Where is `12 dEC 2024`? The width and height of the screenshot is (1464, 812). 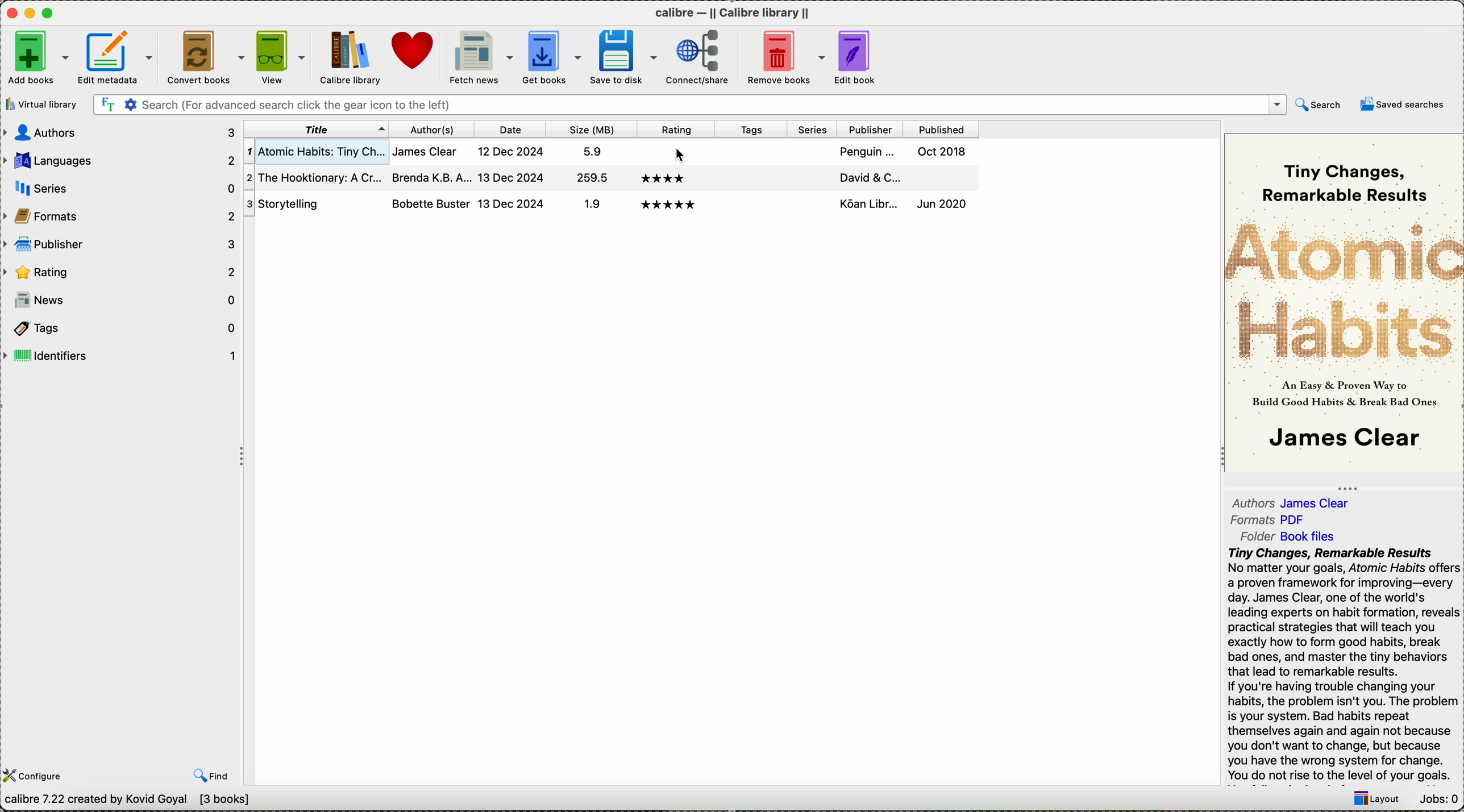 12 dEC 2024 is located at coordinates (513, 152).